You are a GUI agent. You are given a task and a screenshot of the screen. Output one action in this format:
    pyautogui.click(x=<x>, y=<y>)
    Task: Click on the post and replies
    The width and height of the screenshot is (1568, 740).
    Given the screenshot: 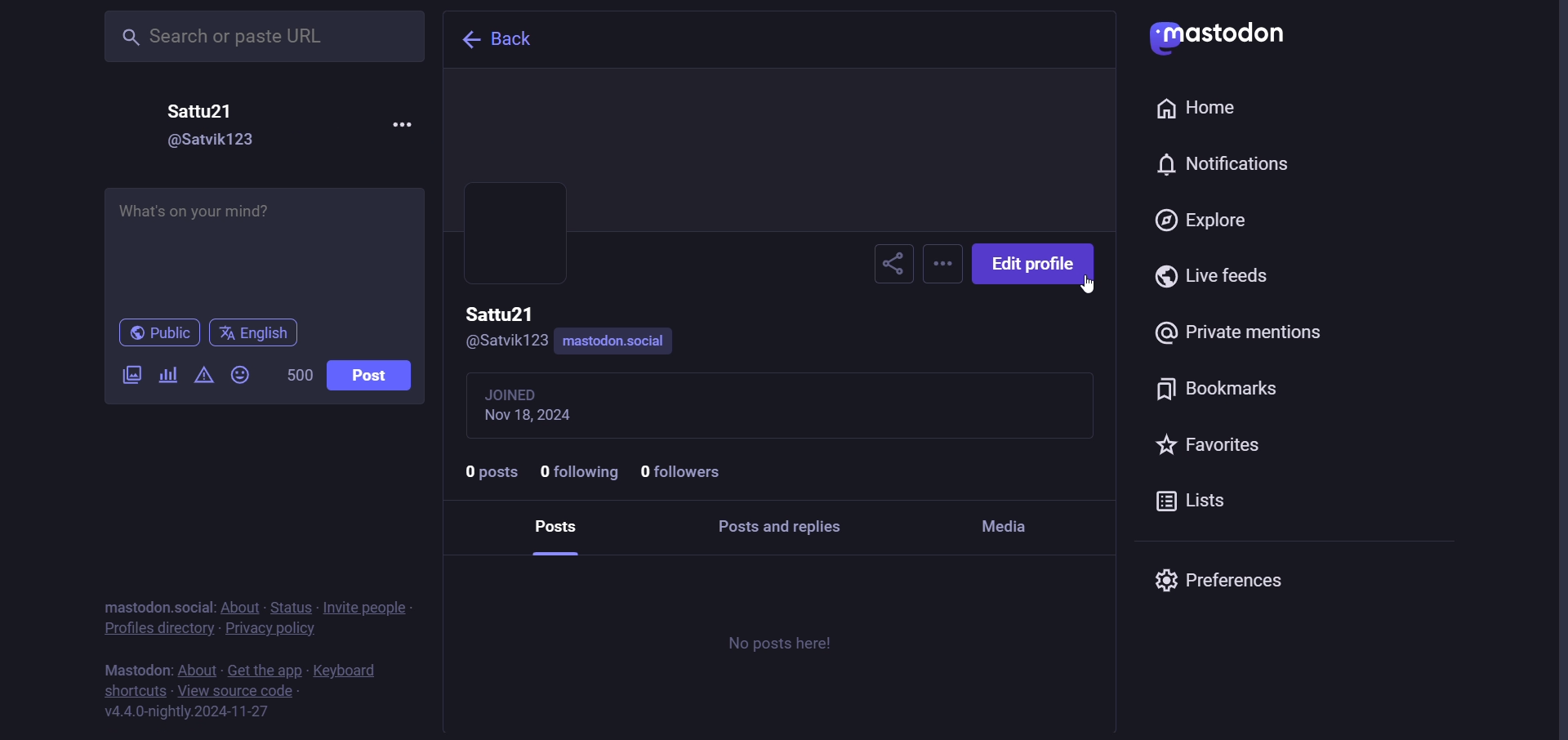 What is the action you would take?
    pyautogui.click(x=778, y=527)
    